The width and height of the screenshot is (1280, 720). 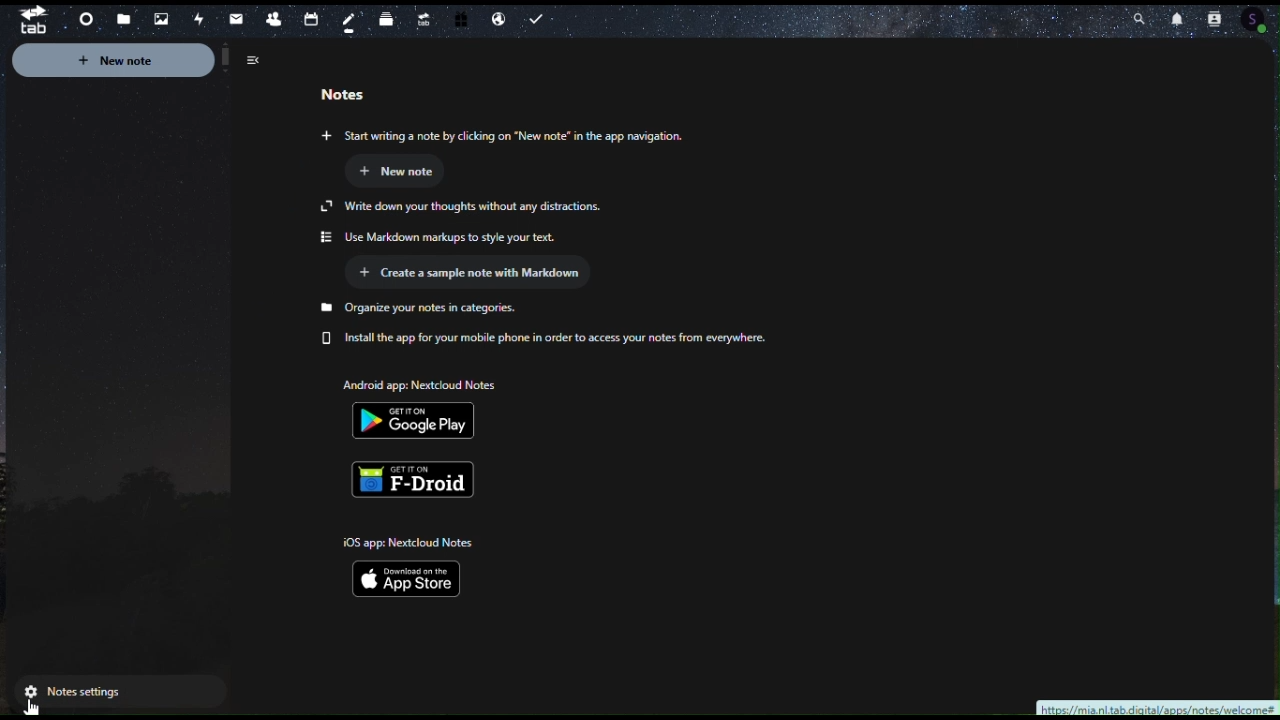 What do you see at coordinates (1182, 20) in the screenshot?
I see `Notifications` at bounding box center [1182, 20].